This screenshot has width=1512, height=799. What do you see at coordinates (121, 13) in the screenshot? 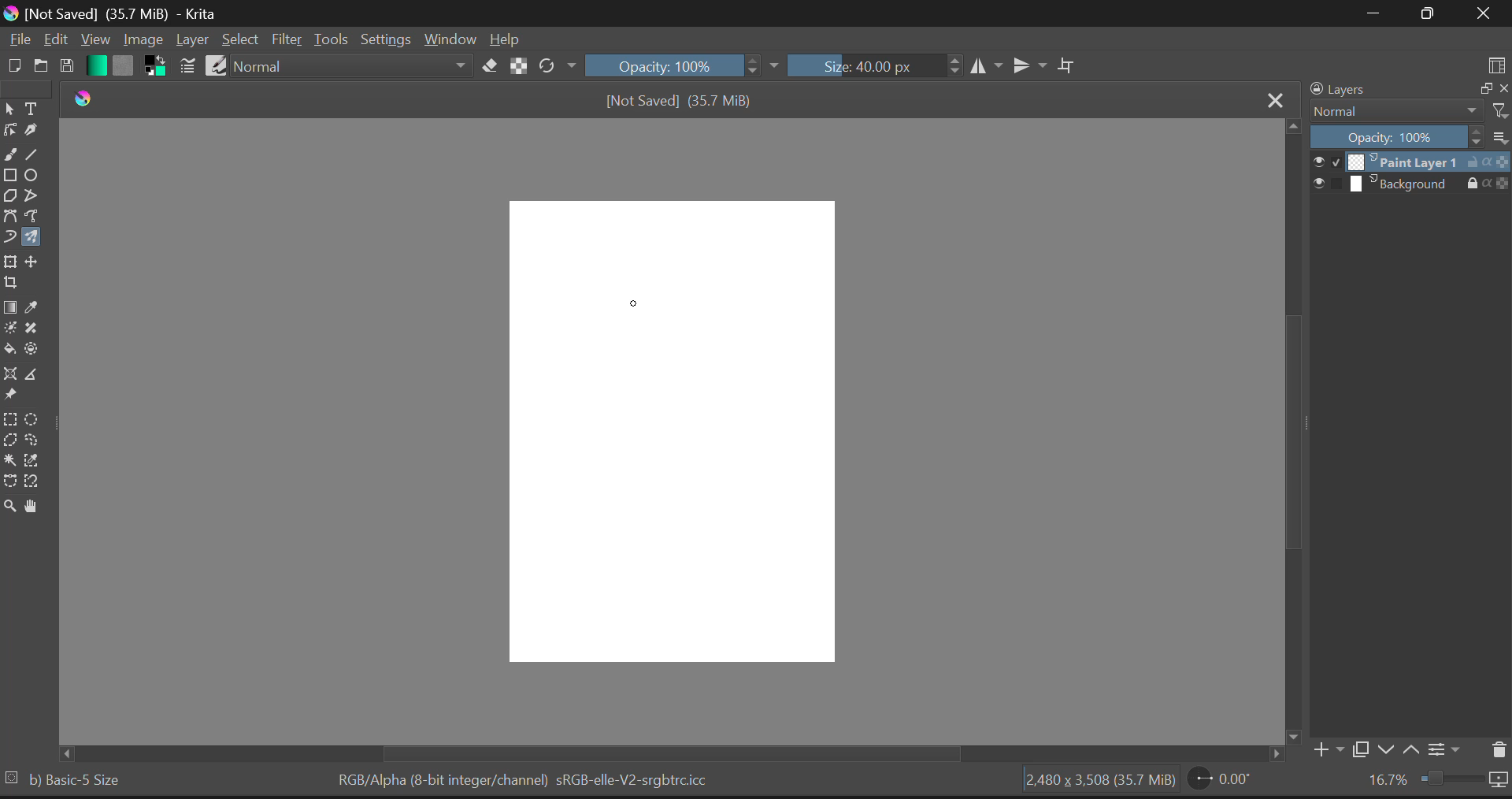
I see `[Not Saved] (35.7 MiB) - Krita` at bounding box center [121, 13].